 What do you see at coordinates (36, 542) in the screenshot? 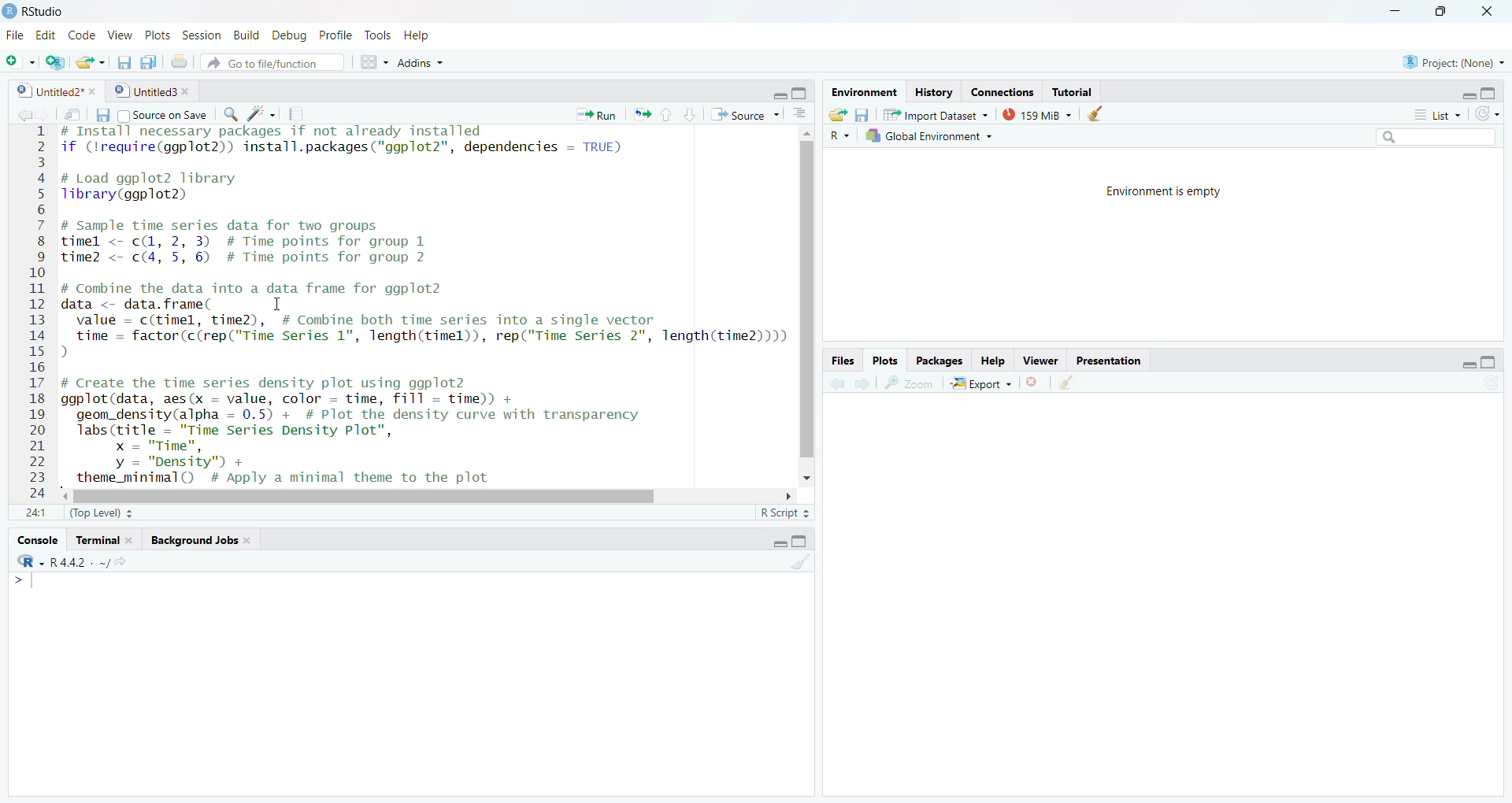
I see `Console` at bounding box center [36, 542].